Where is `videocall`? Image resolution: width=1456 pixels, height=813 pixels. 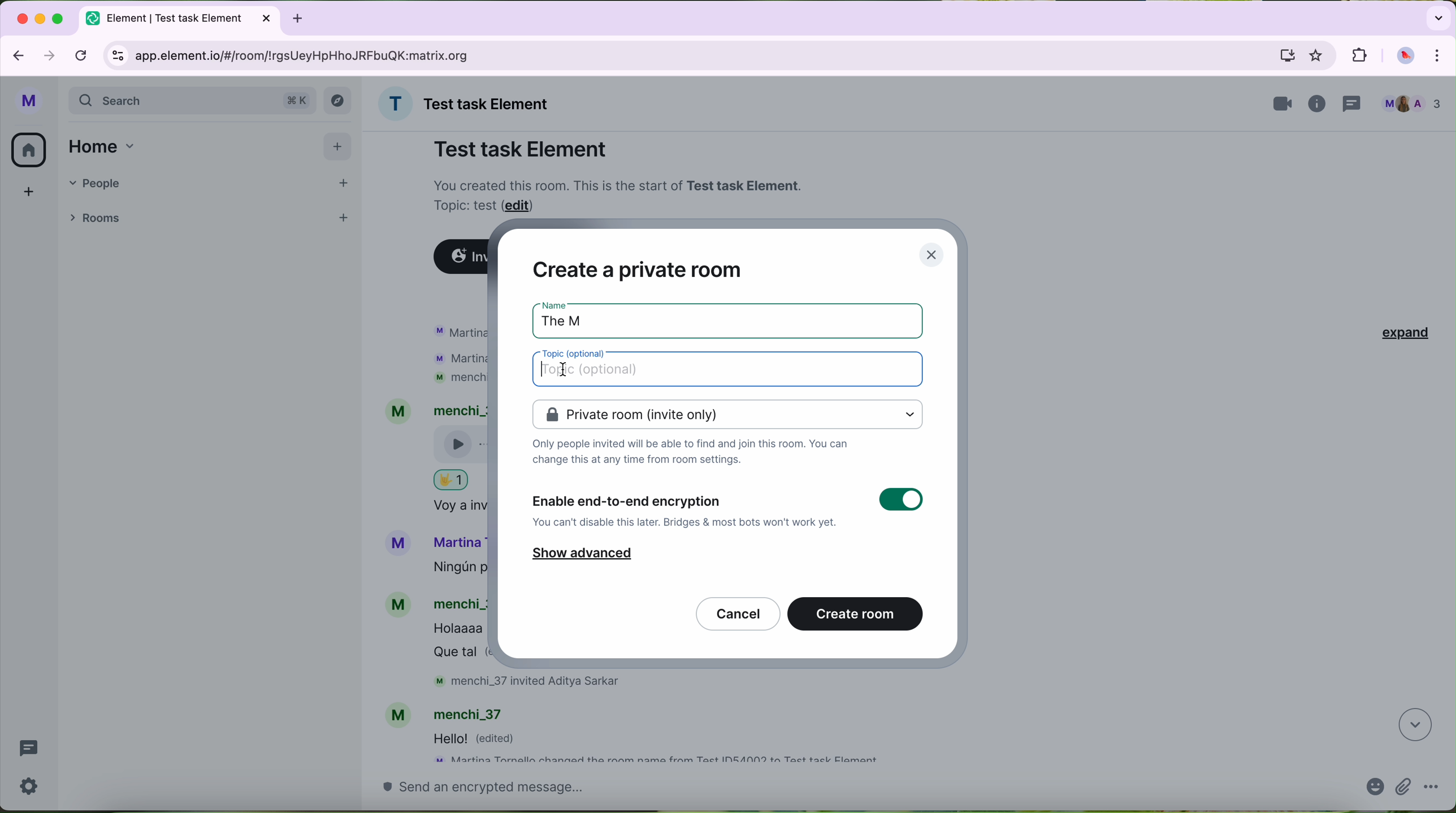
videocall is located at coordinates (1283, 104).